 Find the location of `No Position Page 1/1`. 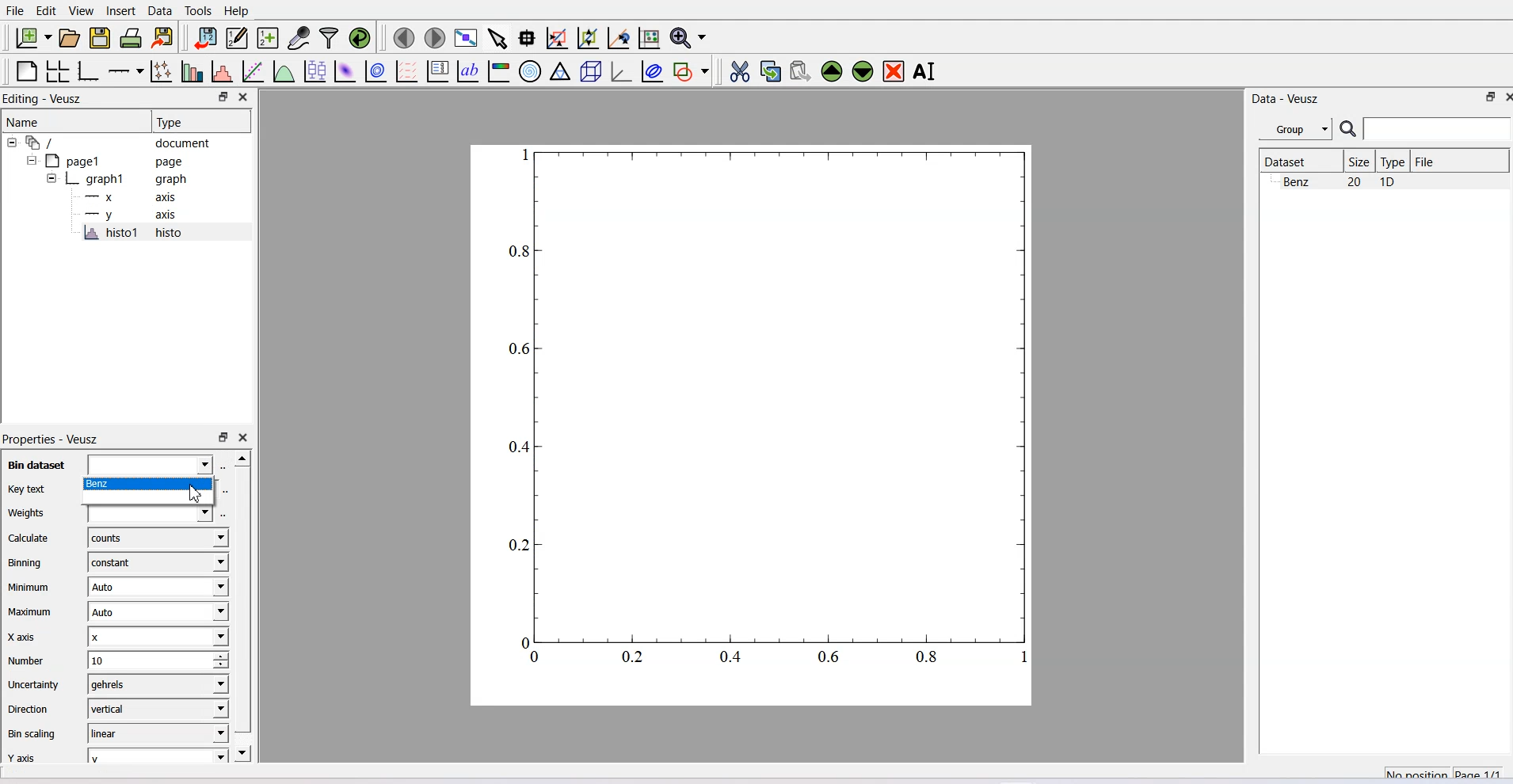

No Position Page 1/1 is located at coordinates (1442, 771).